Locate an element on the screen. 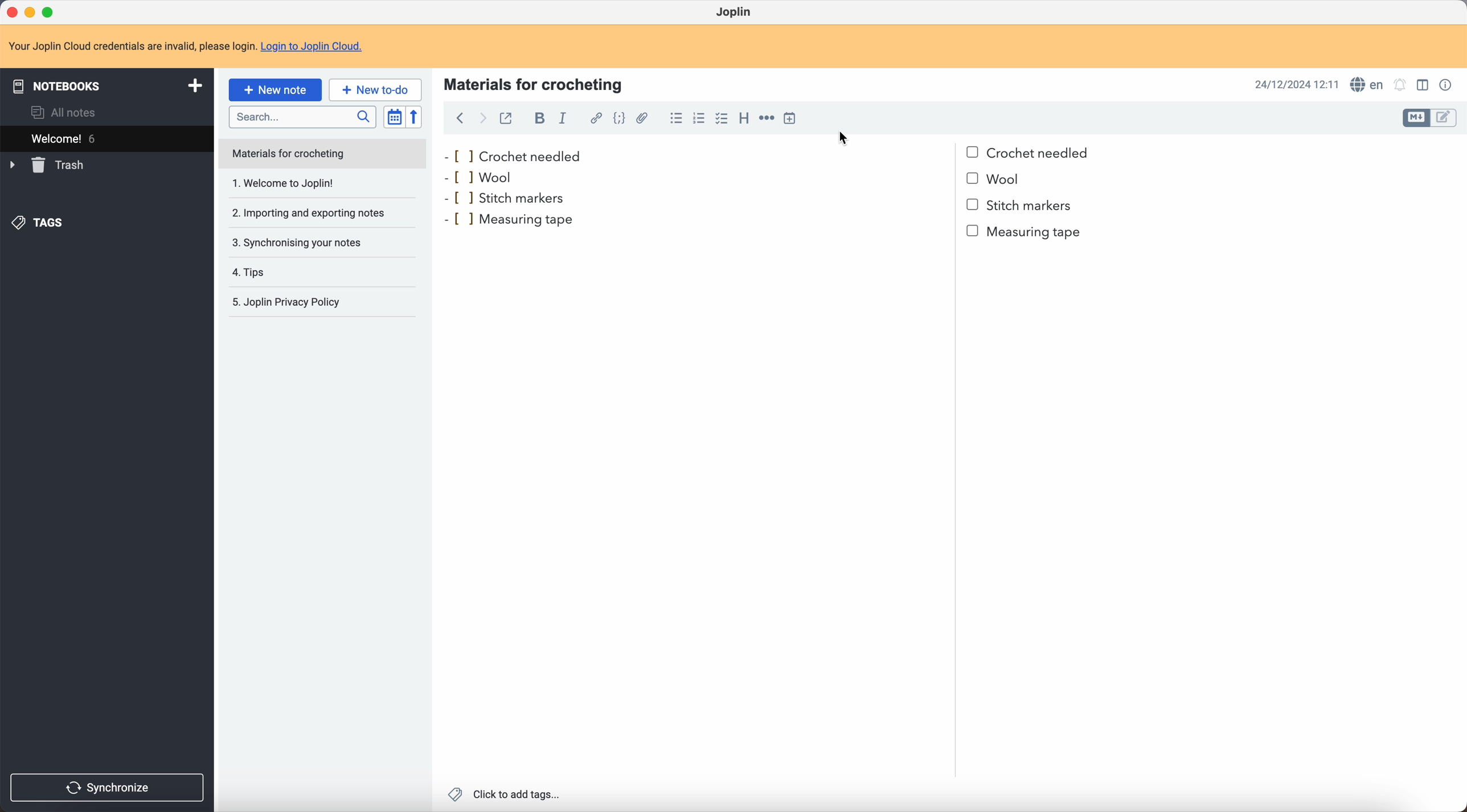 The width and height of the screenshot is (1467, 812). reverse sort order is located at coordinates (416, 117).